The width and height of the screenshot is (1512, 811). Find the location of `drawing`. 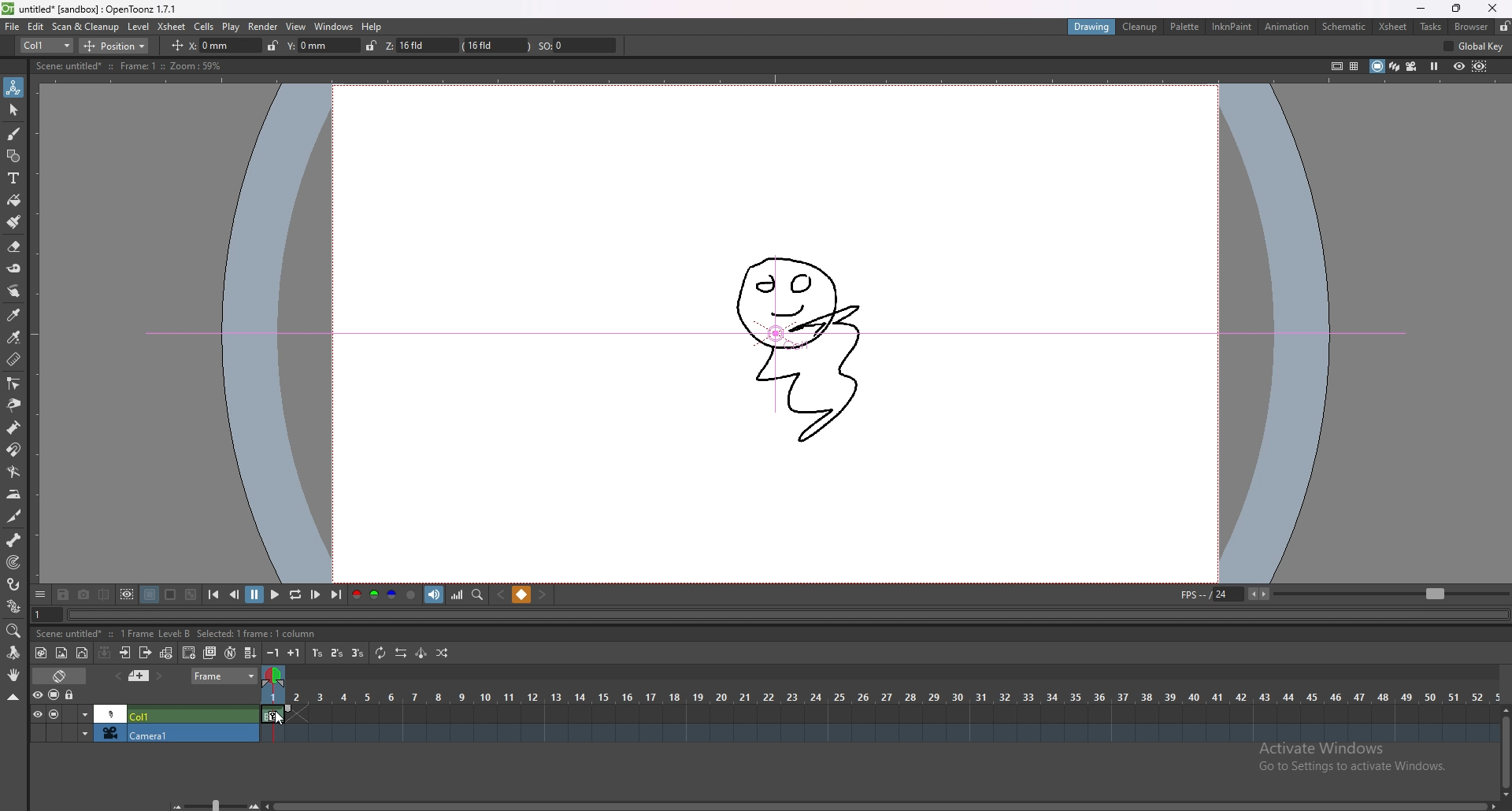

drawing is located at coordinates (1091, 25).